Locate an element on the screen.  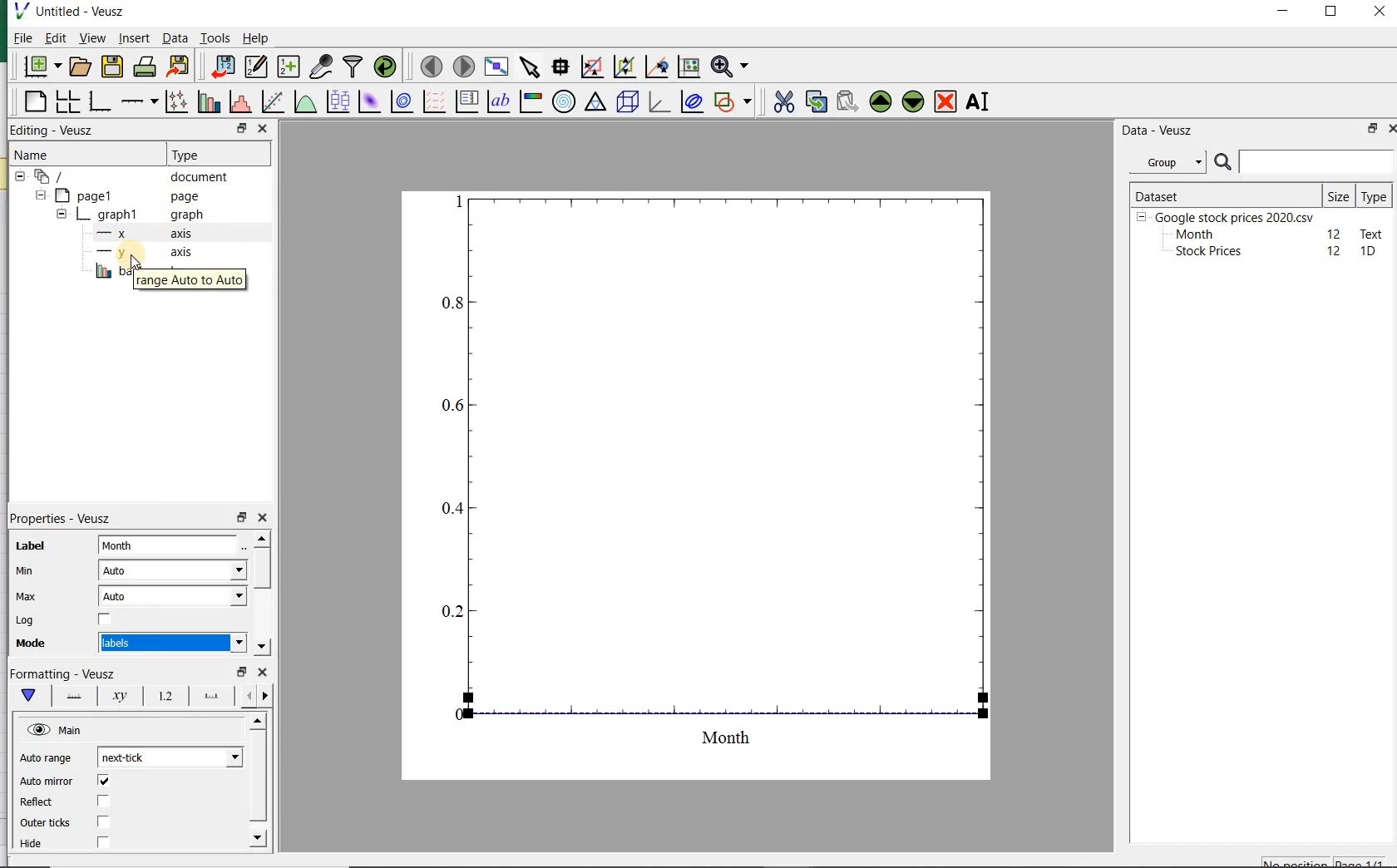
plot bar charts is located at coordinates (206, 103).